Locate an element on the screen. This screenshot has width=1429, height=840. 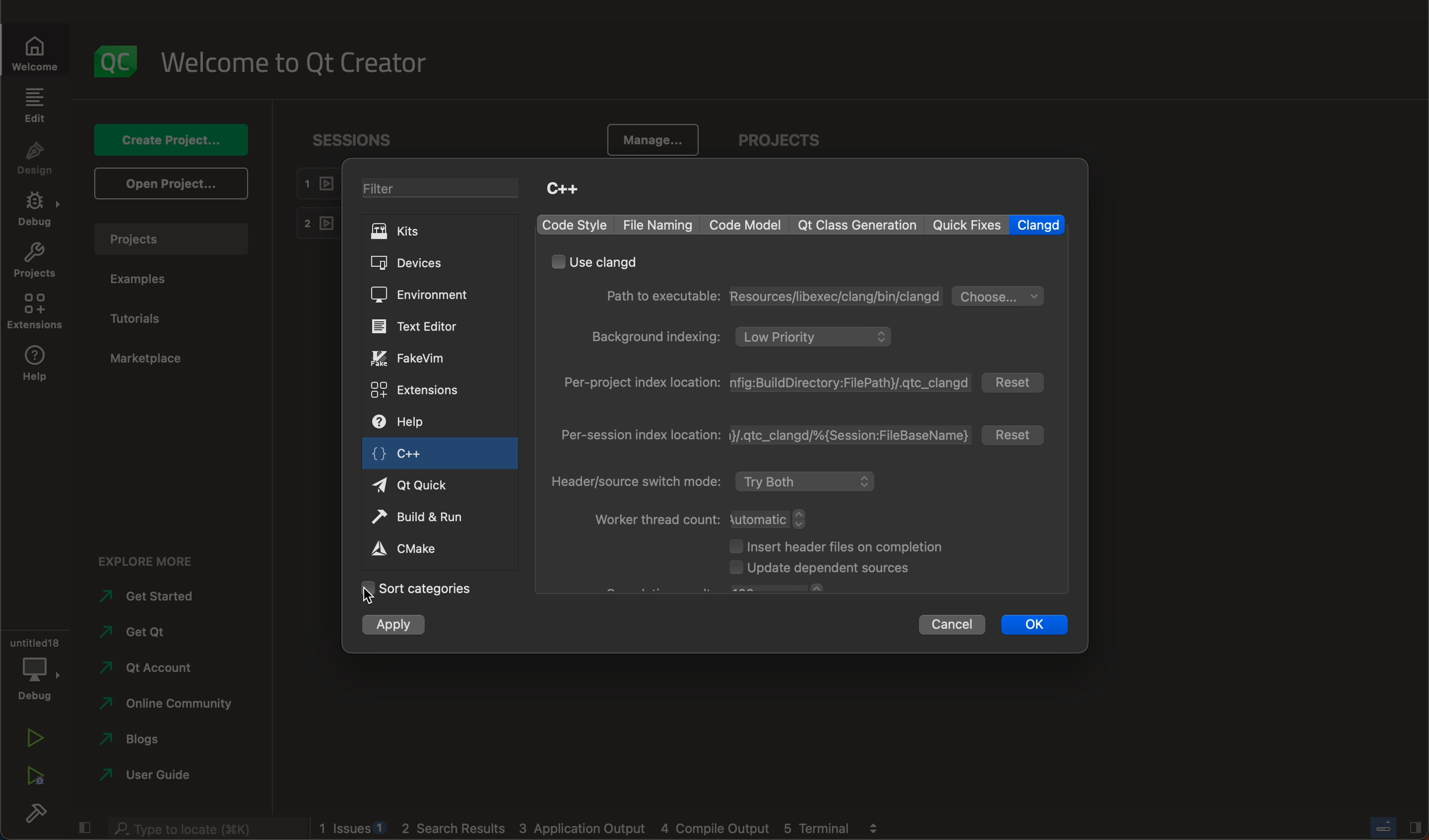
welcome is located at coordinates (37, 50).